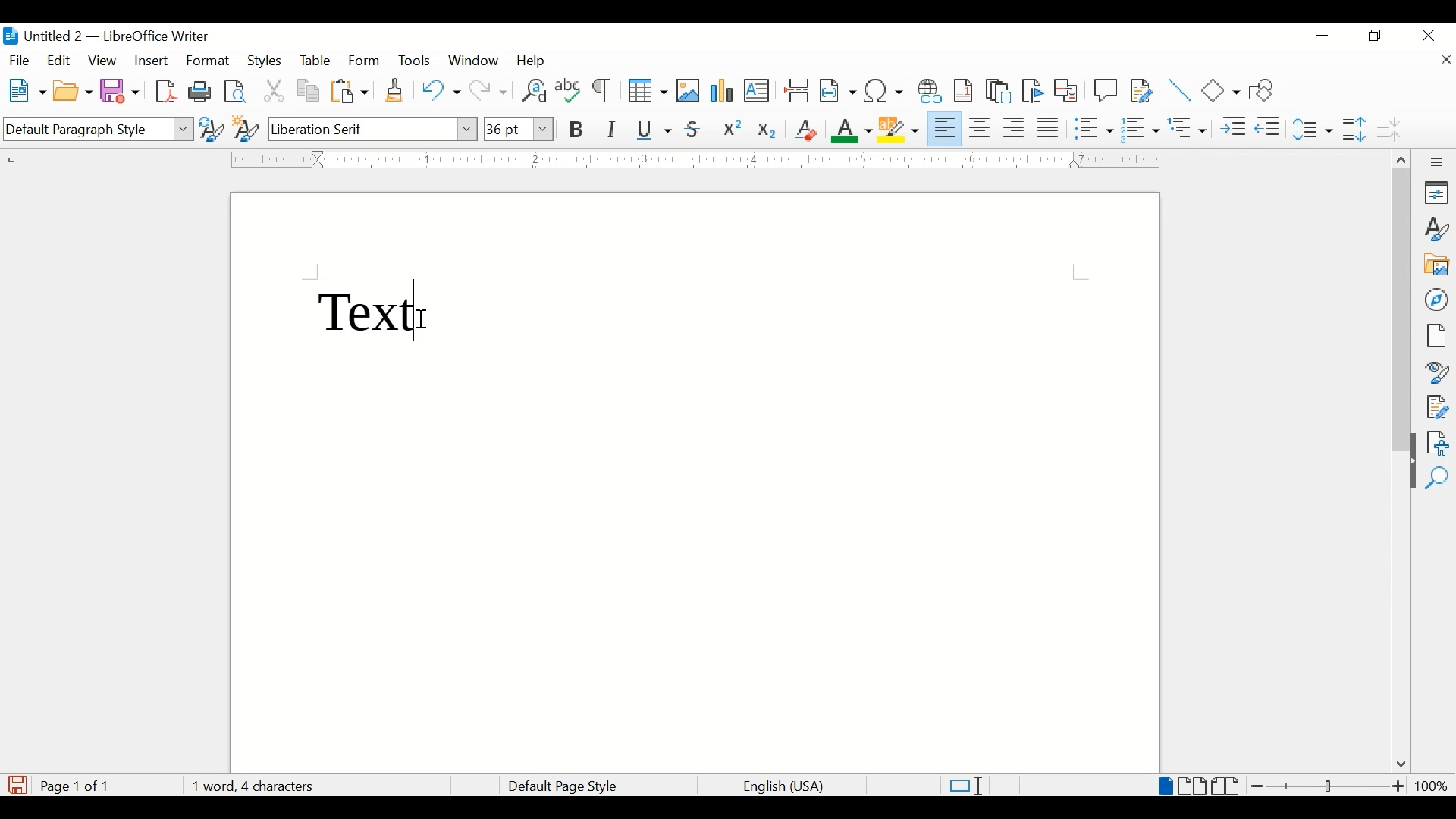 The height and width of the screenshot is (819, 1456). Describe the element at coordinates (999, 91) in the screenshot. I see `insert endnote` at that location.